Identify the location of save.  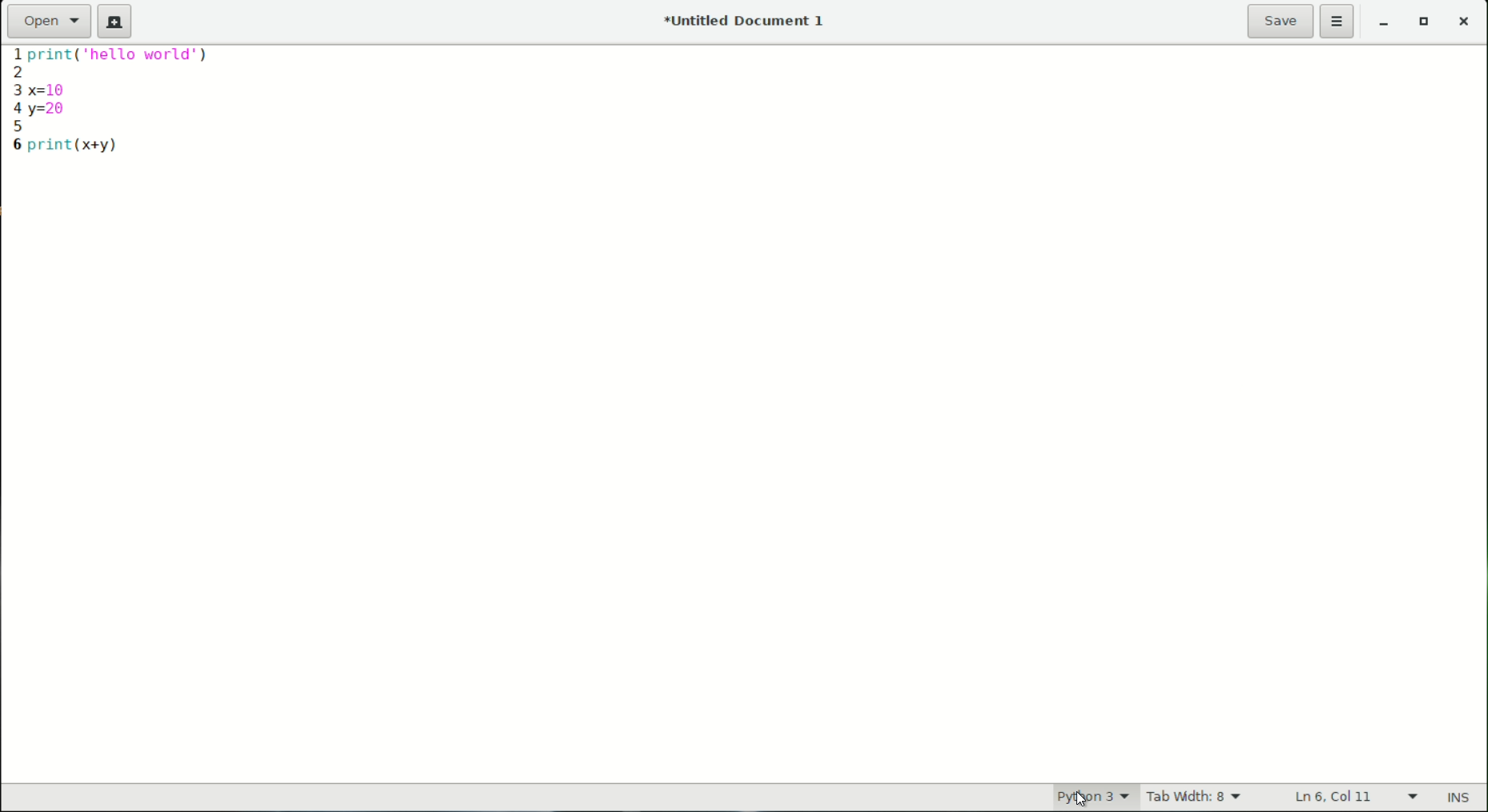
(1281, 21).